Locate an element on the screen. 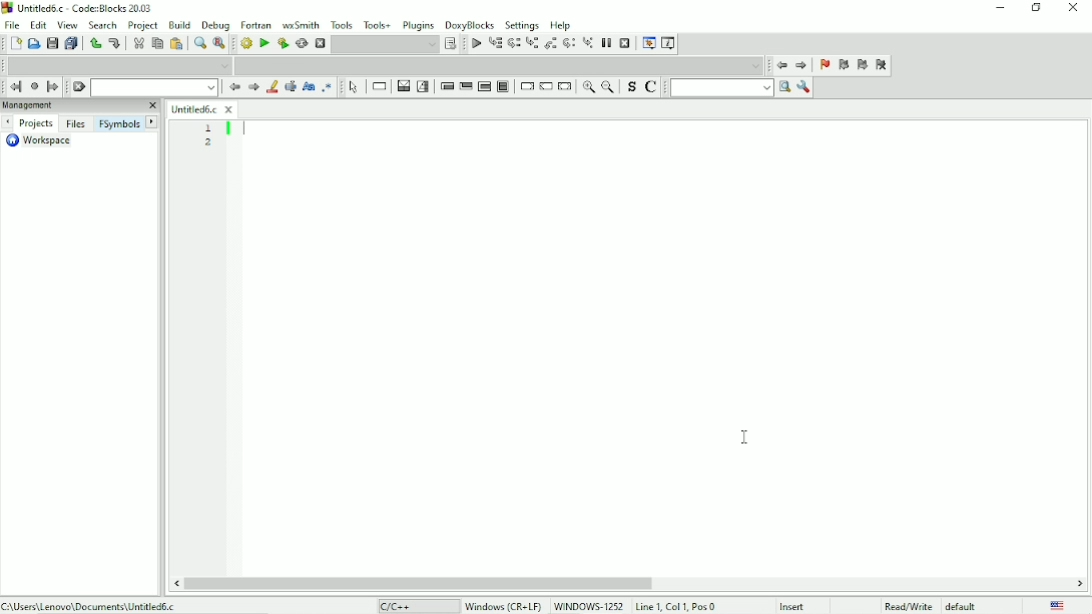  Toggle source is located at coordinates (630, 87).